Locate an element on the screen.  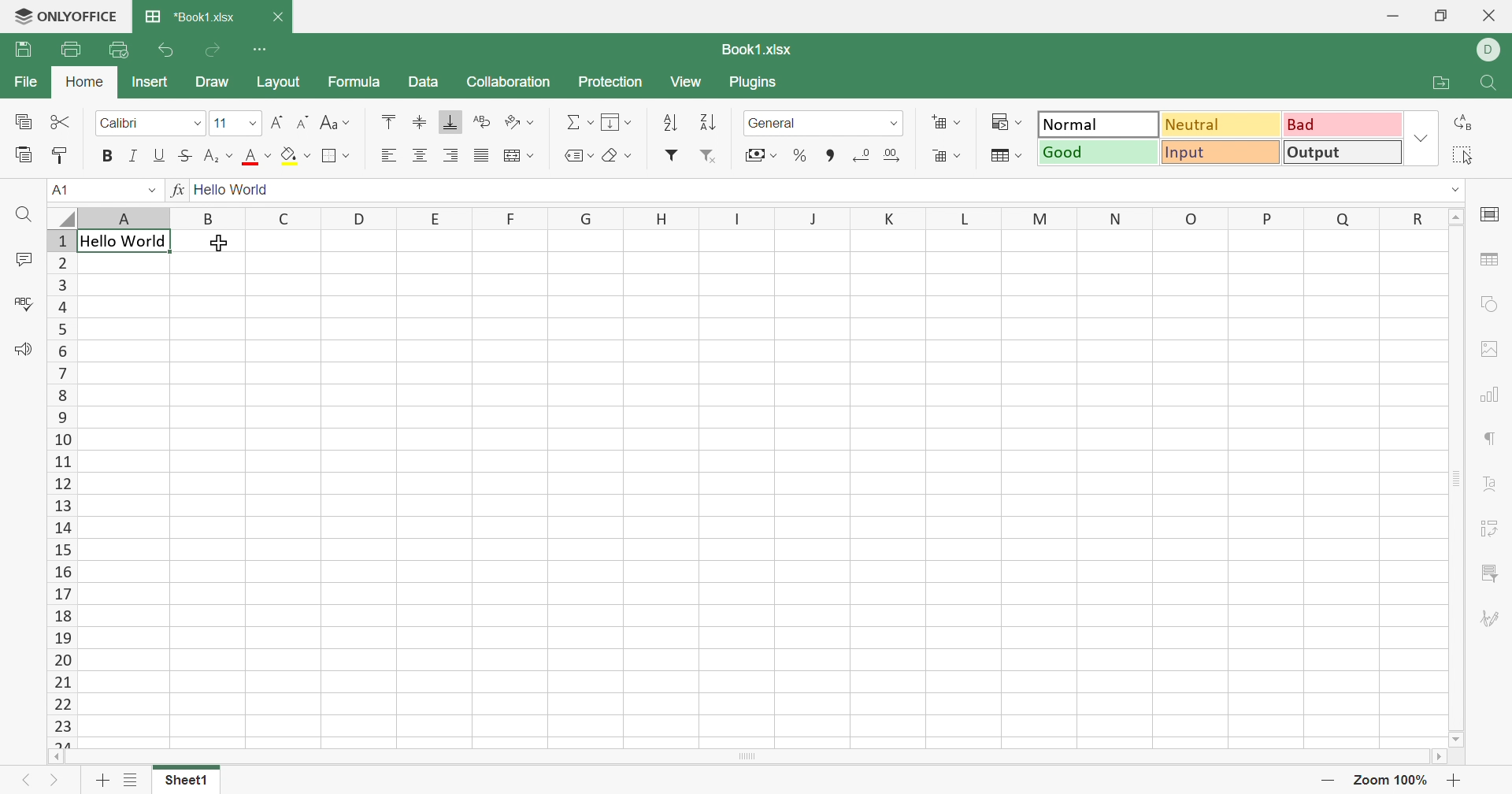
Increment font size is located at coordinates (276, 124).